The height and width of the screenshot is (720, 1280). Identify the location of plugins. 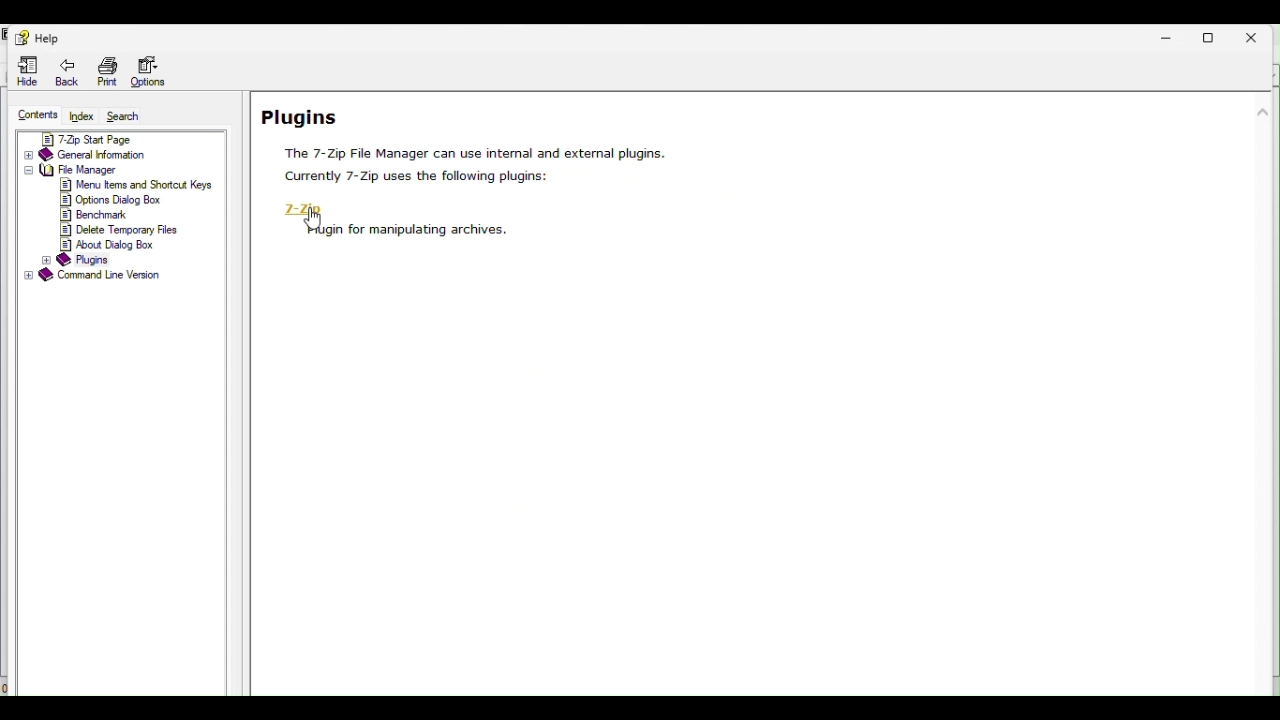
(78, 261).